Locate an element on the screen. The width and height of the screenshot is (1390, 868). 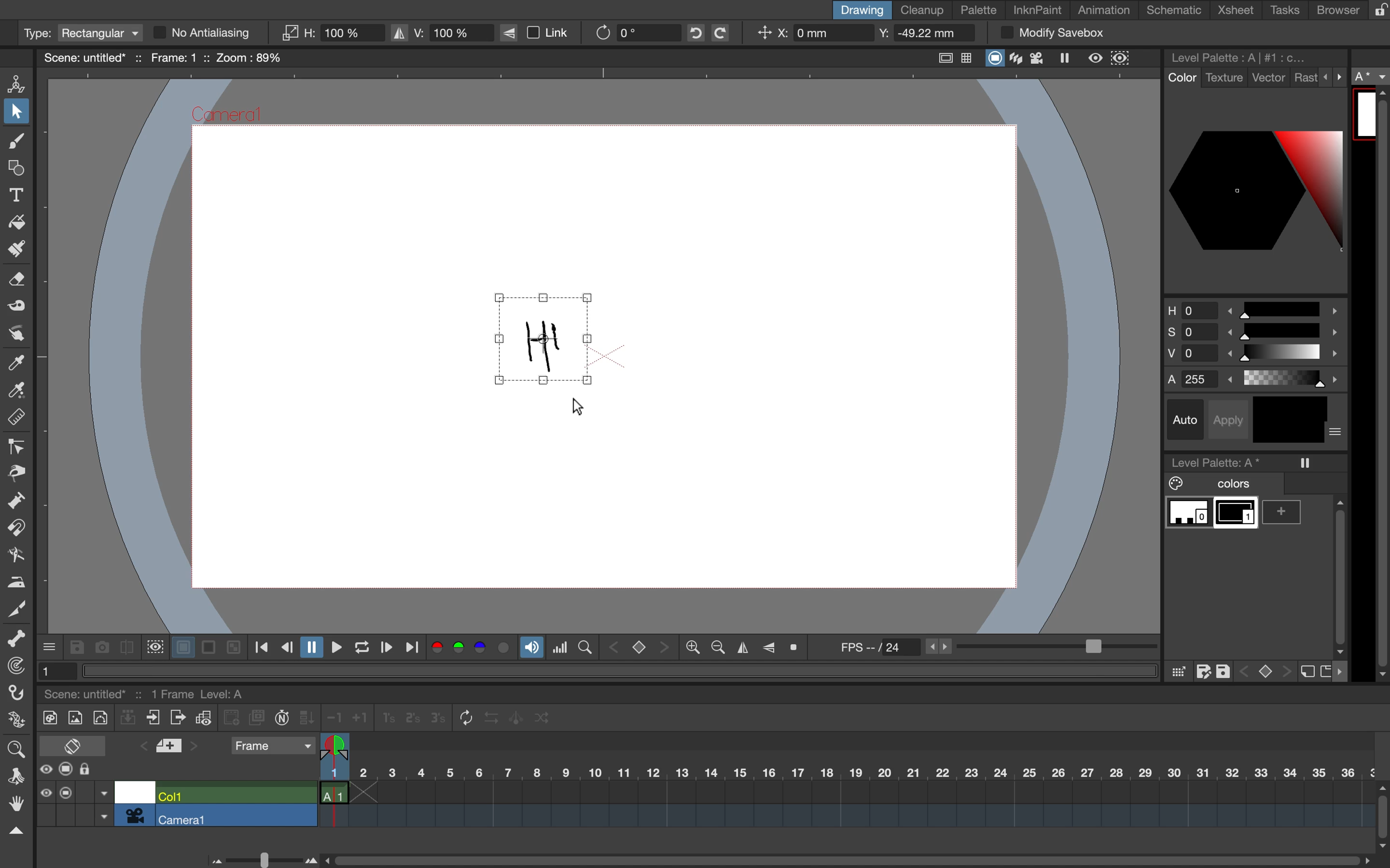
alphas is located at coordinates (1257, 379).